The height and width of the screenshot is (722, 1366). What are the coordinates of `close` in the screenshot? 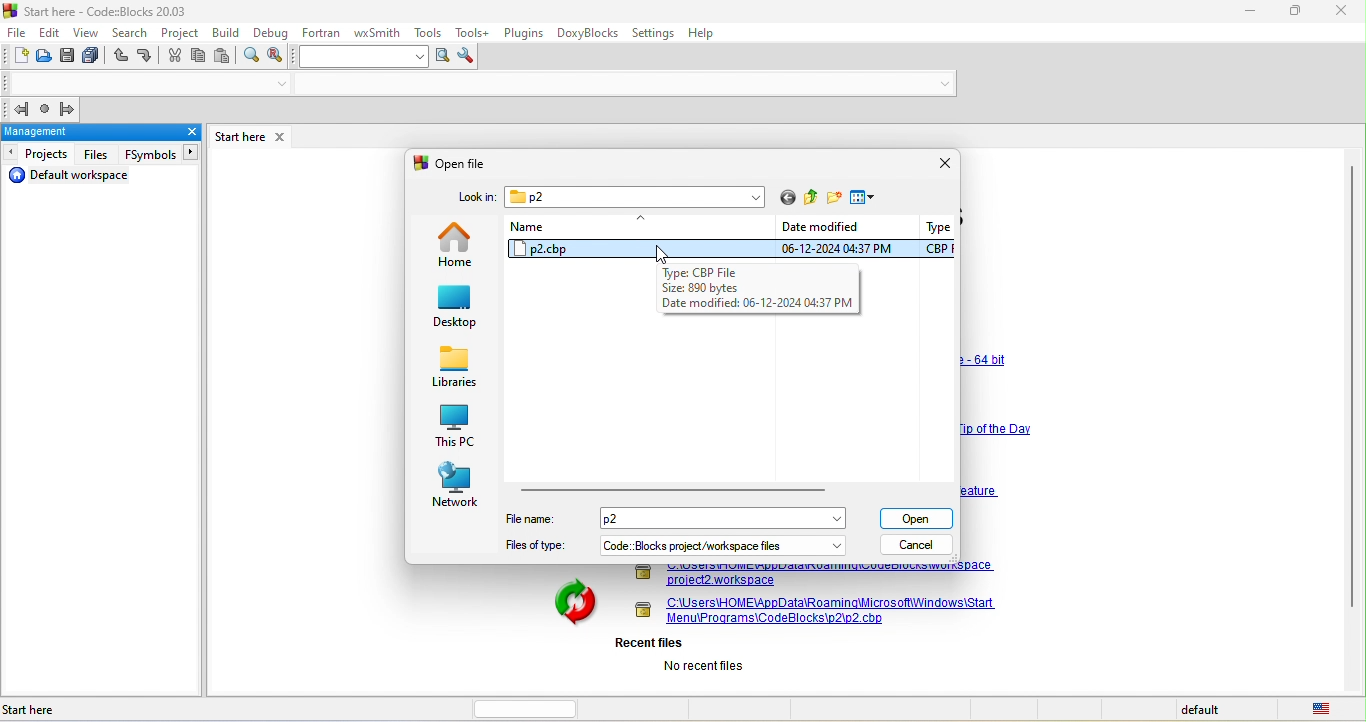 It's located at (279, 138).